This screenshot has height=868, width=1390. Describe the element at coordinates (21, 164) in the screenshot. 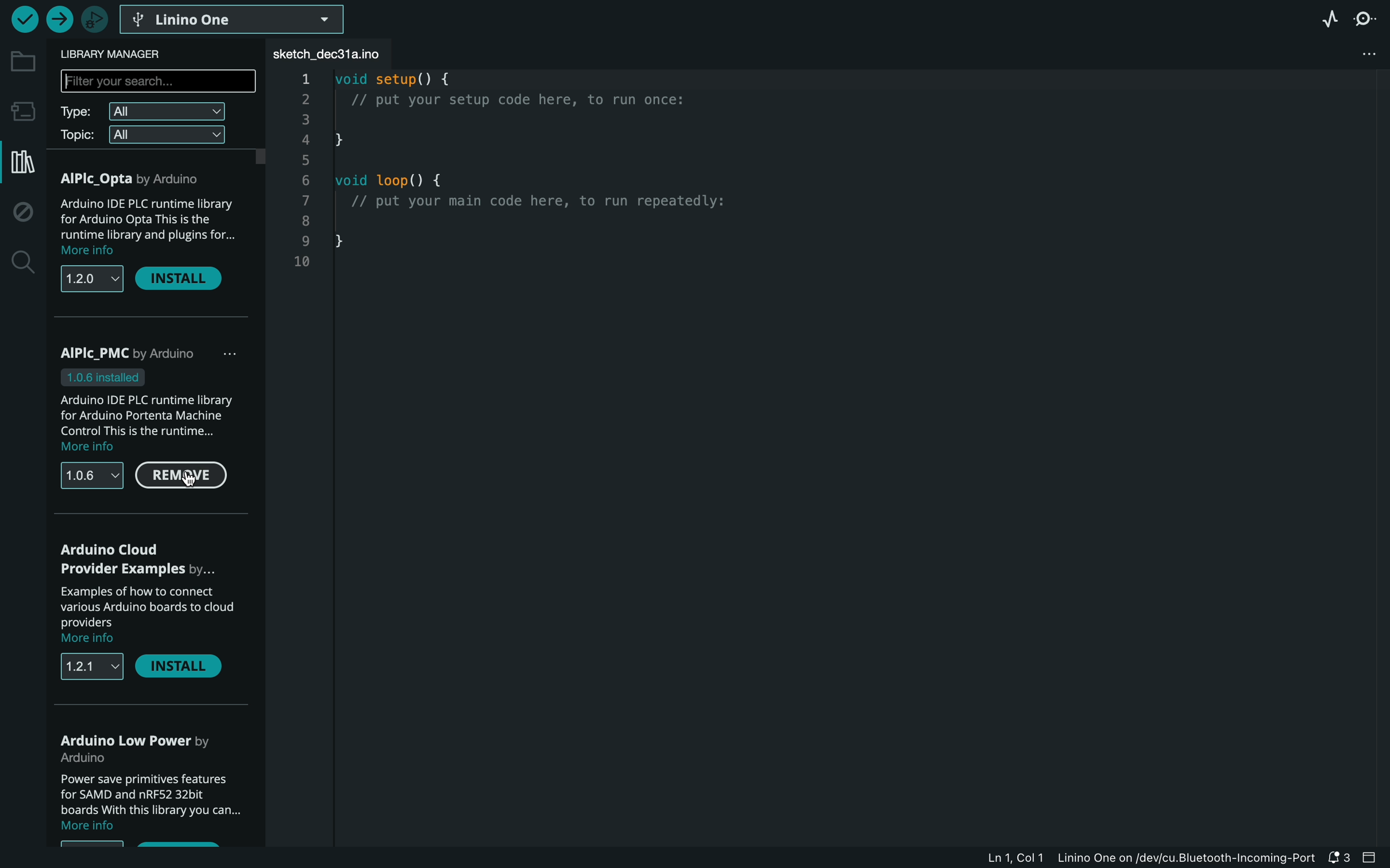

I see `library manager` at that location.